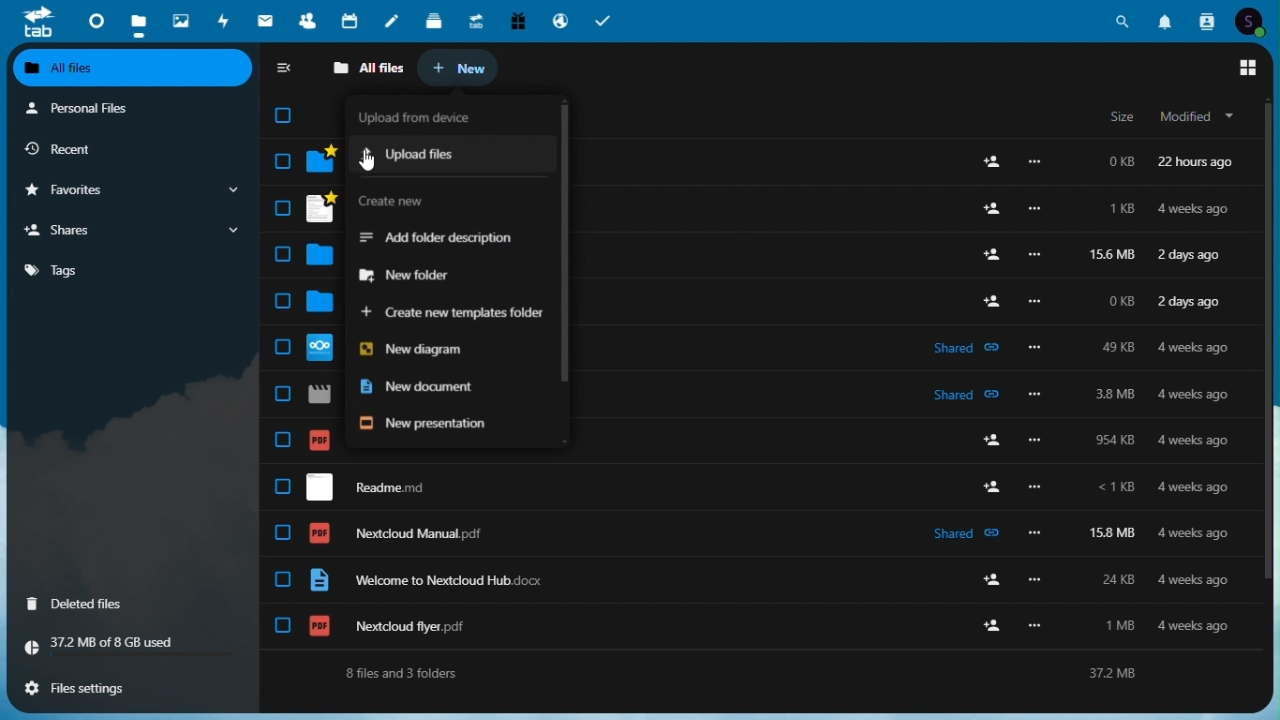 This screenshot has width=1280, height=720. Describe the element at coordinates (319, 347) in the screenshot. I see `file` at that location.